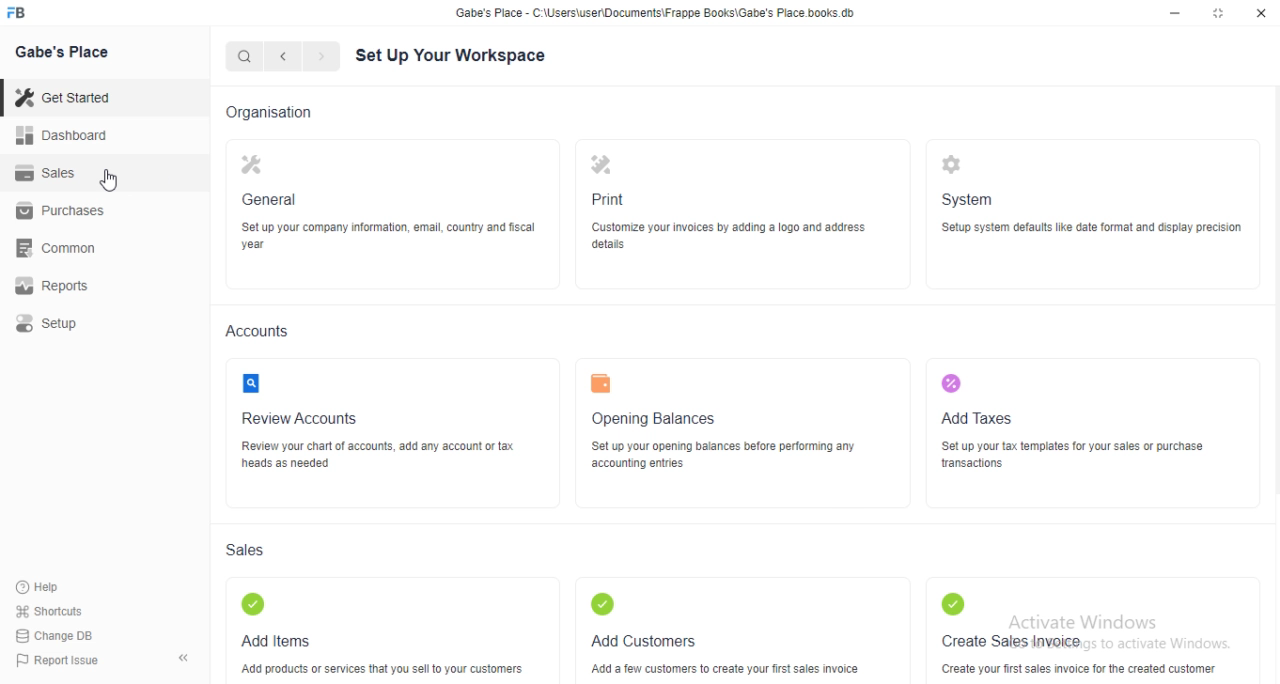 This screenshot has width=1280, height=684. What do you see at coordinates (259, 331) in the screenshot?
I see `accounts` at bounding box center [259, 331].